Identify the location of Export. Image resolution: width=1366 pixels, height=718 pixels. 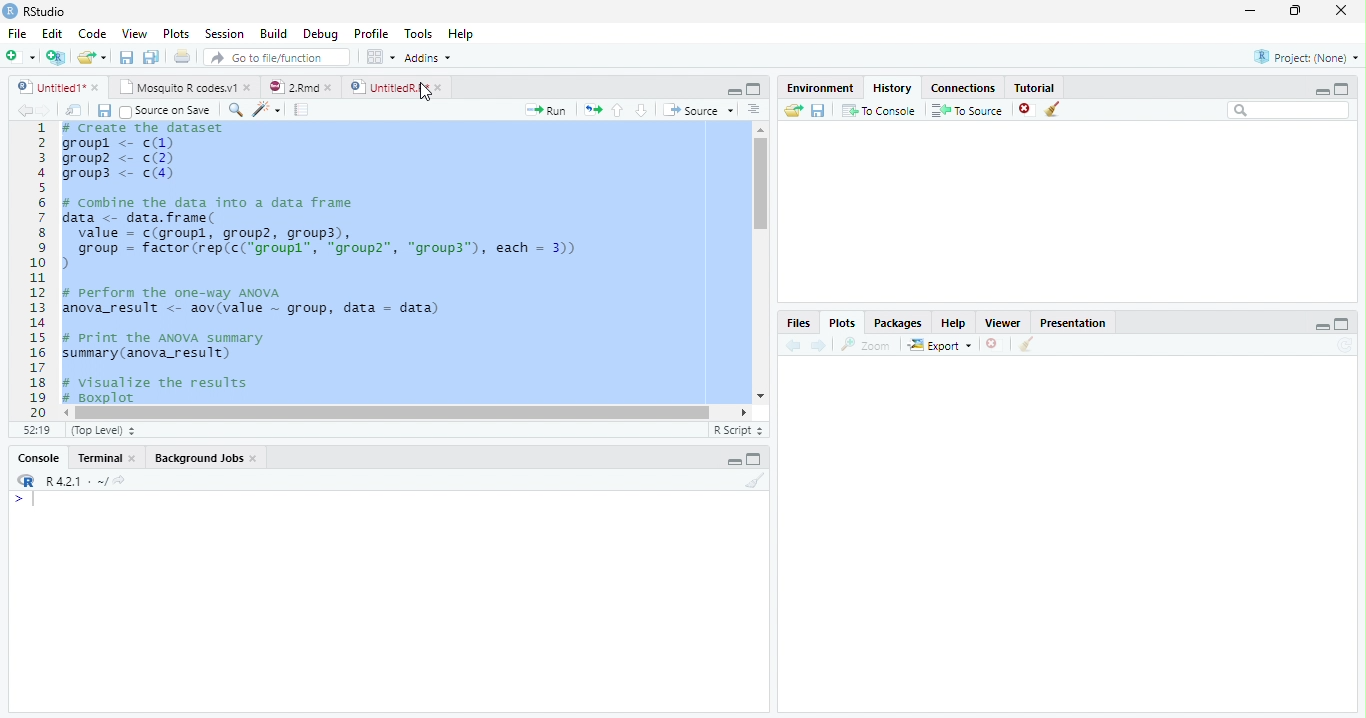
(941, 345).